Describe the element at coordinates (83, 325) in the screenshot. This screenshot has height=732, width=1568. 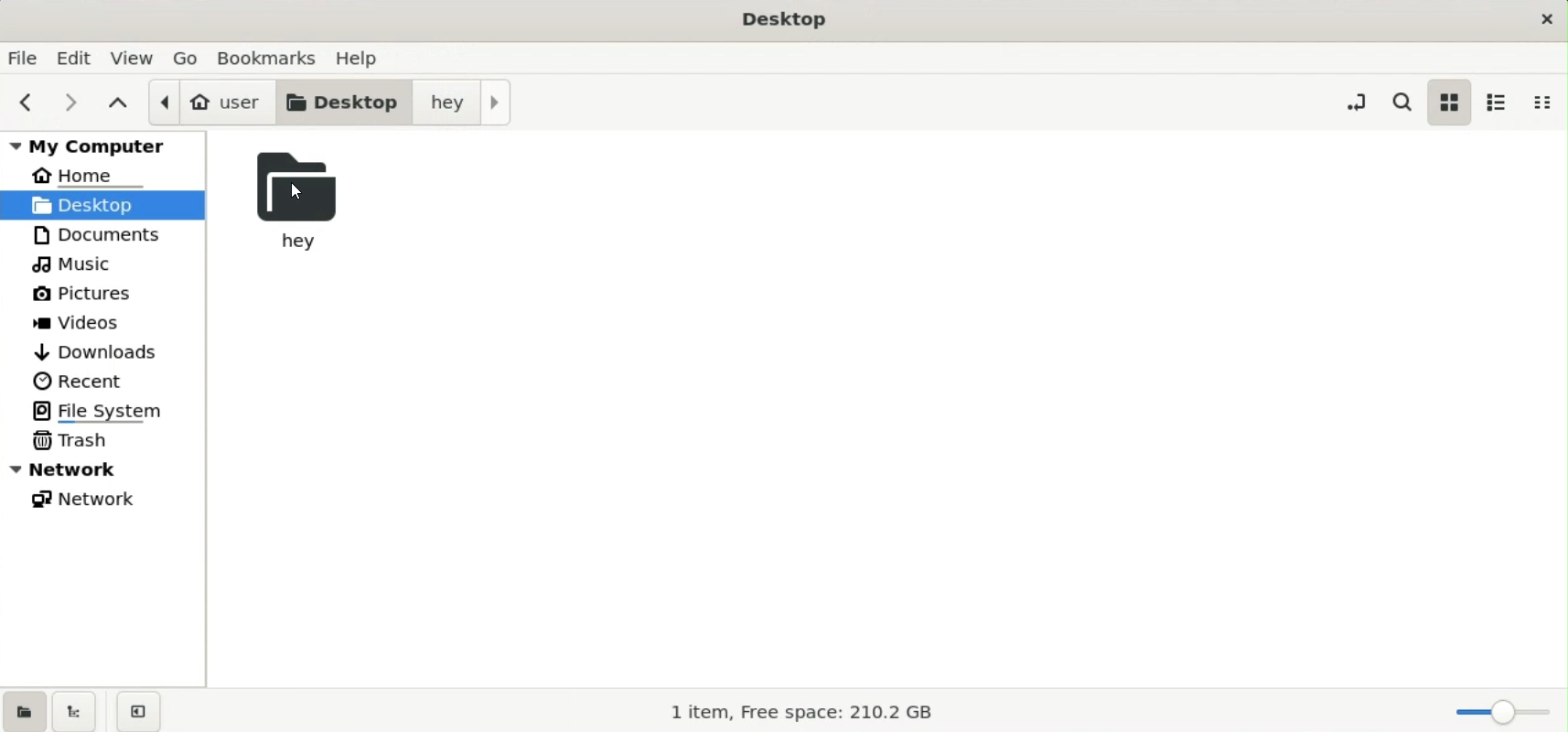
I see `videos` at that location.